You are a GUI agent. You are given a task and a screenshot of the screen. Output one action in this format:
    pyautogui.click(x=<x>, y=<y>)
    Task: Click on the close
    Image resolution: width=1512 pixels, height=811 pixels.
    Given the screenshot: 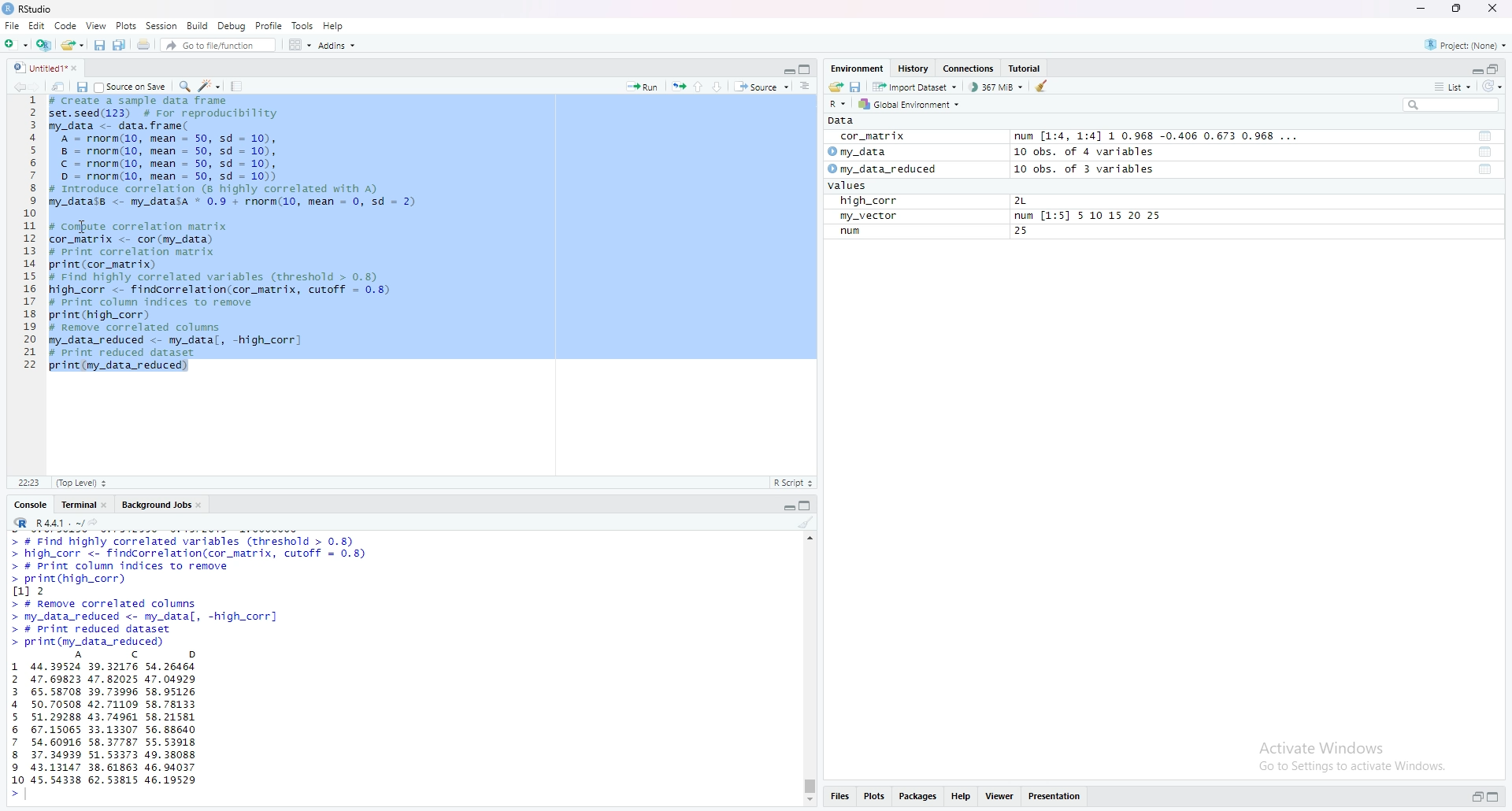 What is the action you would take?
    pyautogui.click(x=201, y=505)
    